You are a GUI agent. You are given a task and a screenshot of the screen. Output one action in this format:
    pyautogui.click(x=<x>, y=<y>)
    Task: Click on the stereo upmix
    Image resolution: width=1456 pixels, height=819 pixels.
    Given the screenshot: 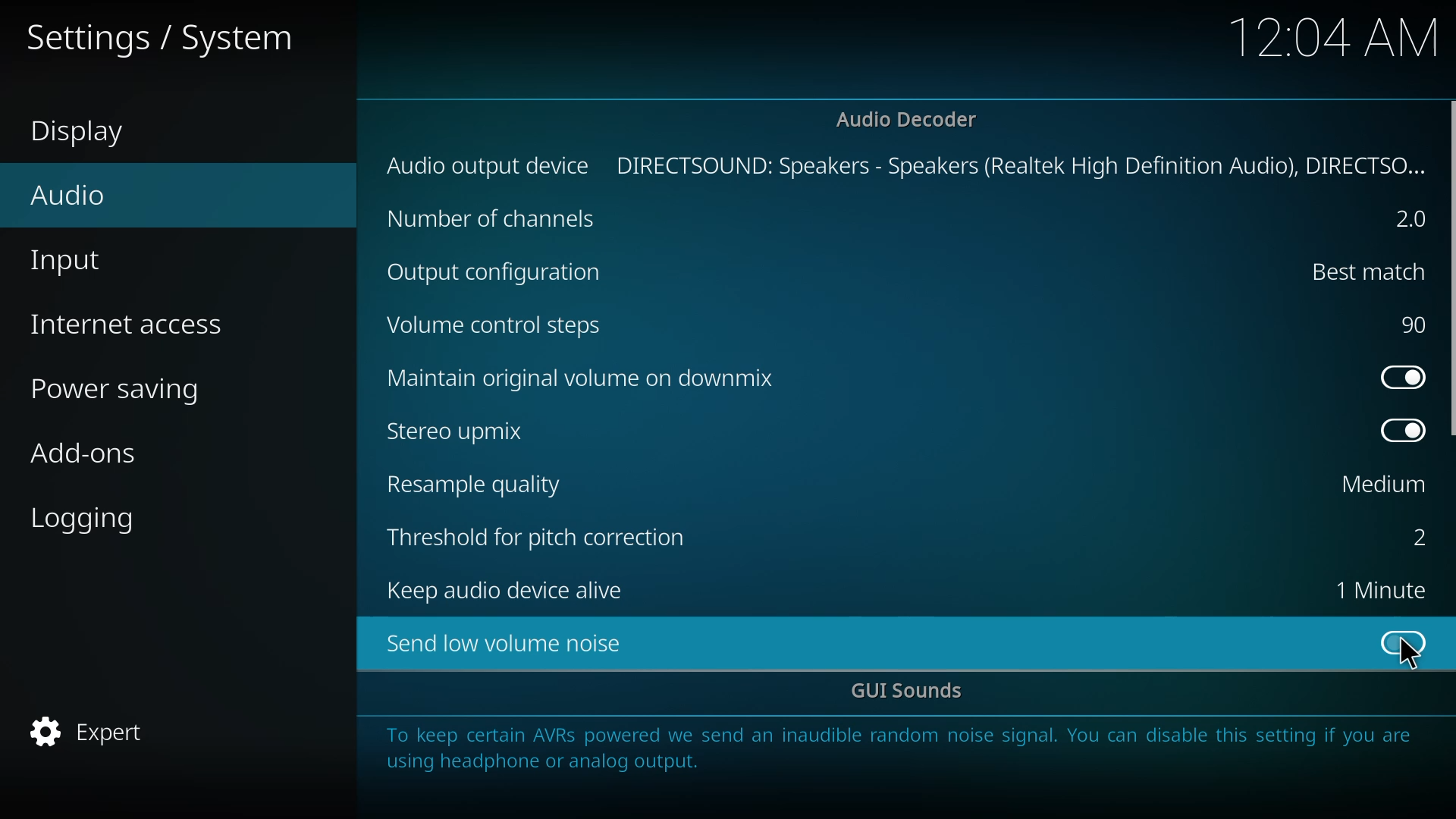 What is the action you would take?
    pyautogui.click(x=466, y=431)
    